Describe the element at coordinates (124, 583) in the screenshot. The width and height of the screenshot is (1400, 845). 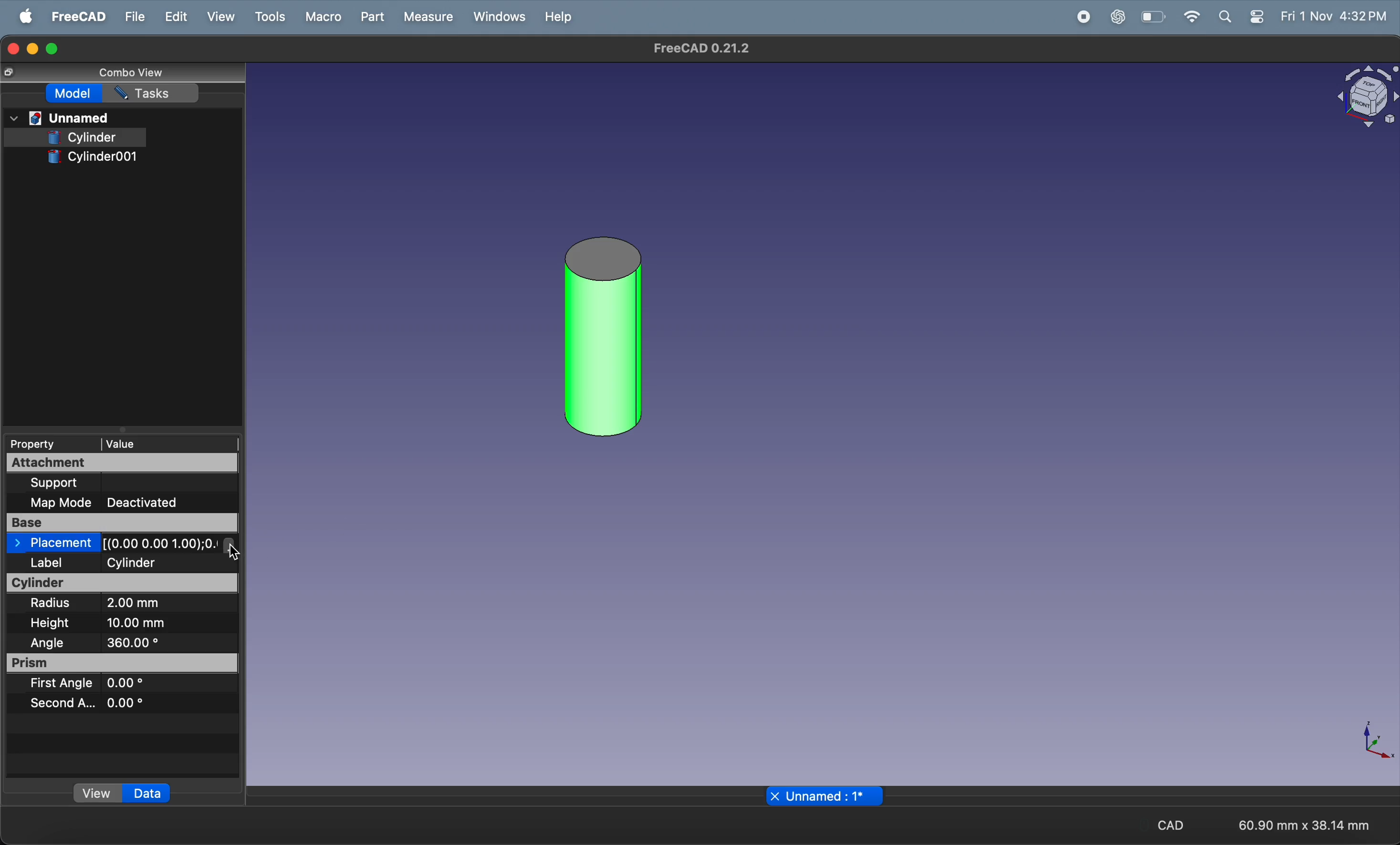
I see `cylinder` at that location.